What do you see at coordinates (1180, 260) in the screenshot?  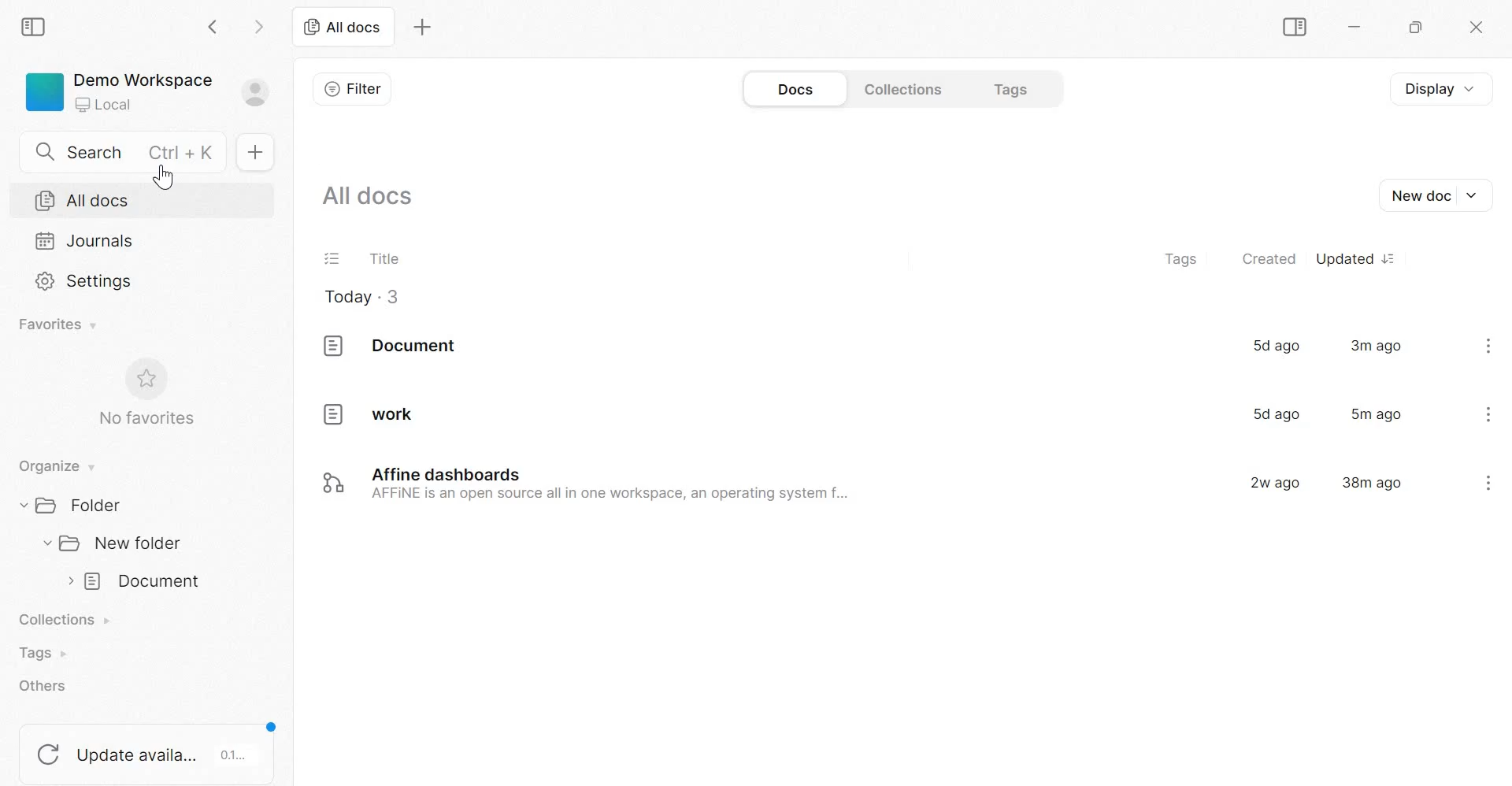 I see `Tags` at bounding box center [1180, 260].